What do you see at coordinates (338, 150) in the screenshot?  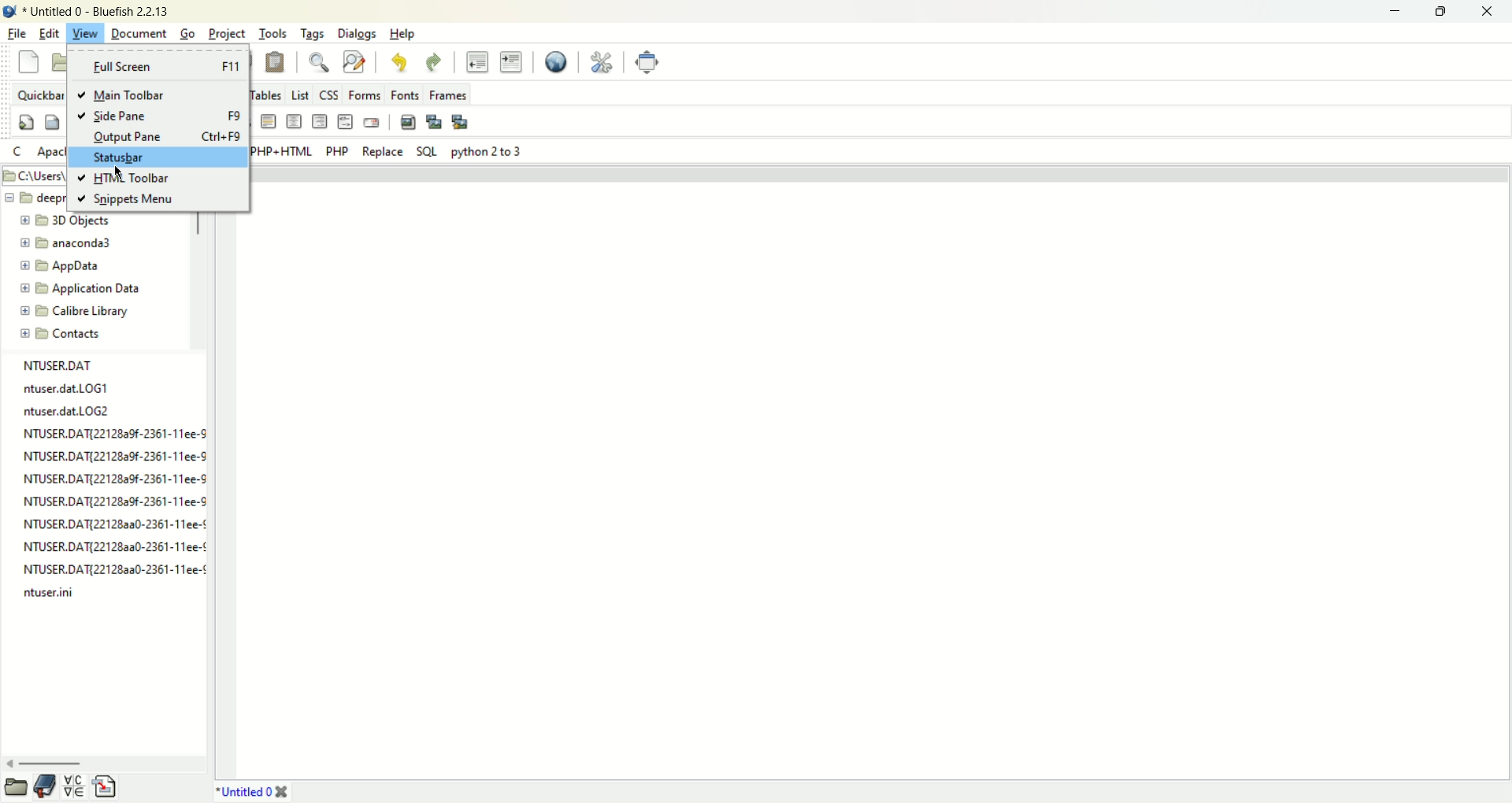 I see `PHP` at bounding box center [338, 150].